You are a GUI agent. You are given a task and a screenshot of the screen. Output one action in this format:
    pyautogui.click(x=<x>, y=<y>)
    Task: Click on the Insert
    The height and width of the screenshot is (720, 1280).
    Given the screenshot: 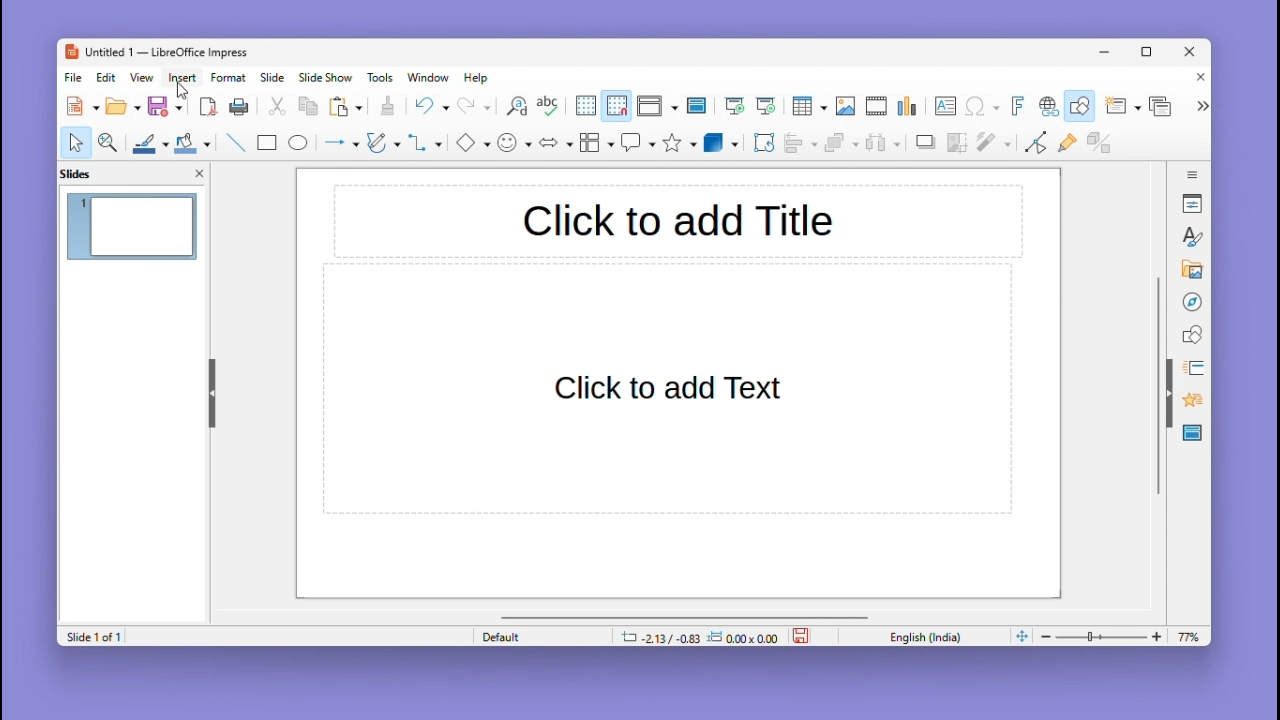 What is the action you would take?
    pyautogui.click(x=185, y=77)
    